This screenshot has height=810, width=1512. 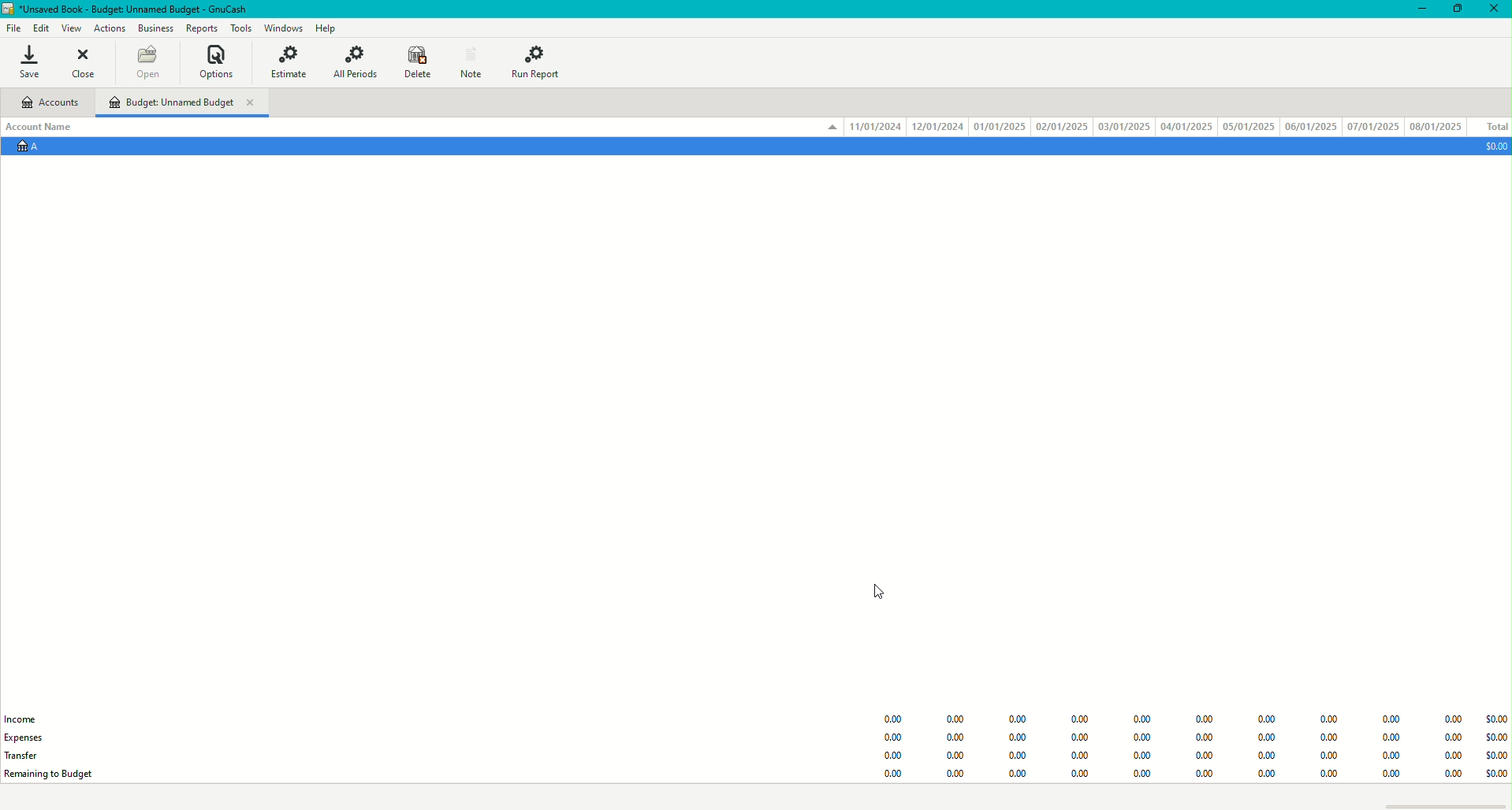 What do you see at coordinates (355, 63) in the screenshot?
I see `All Periods` at bounding box center [355, 63].